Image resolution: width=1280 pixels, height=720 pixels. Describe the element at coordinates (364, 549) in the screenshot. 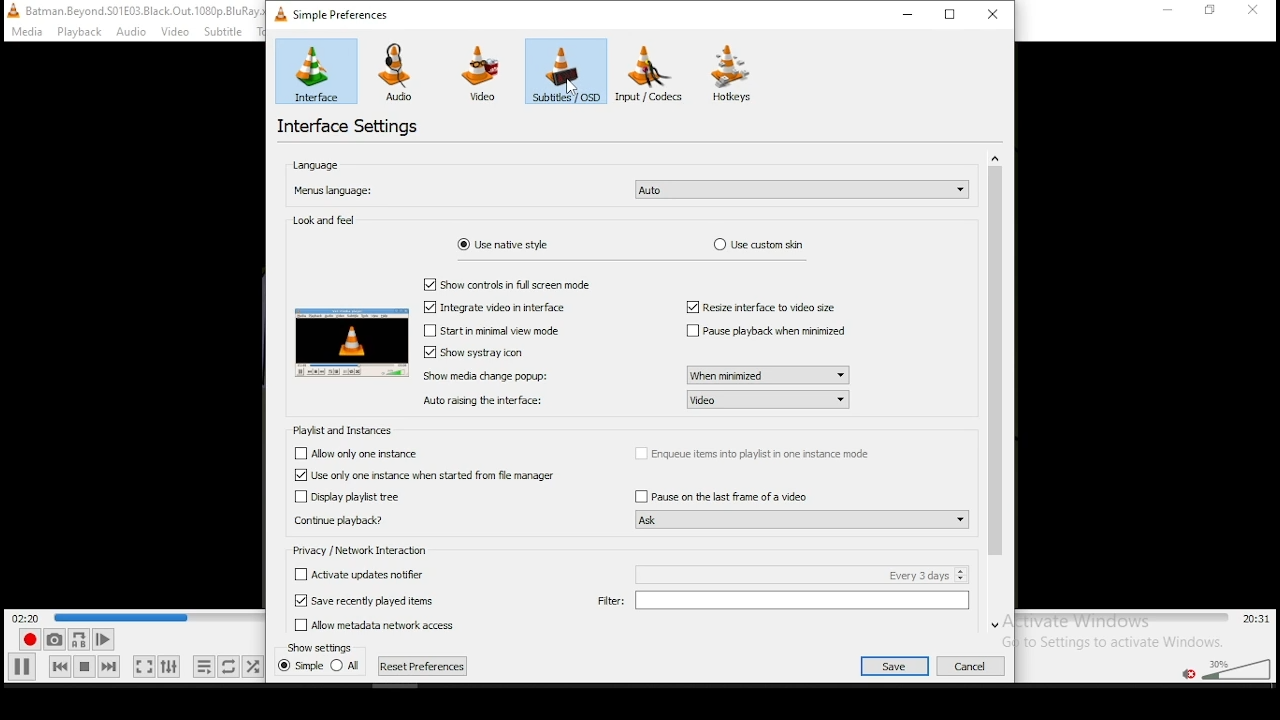

I see `privacy/network interaction` at that location.